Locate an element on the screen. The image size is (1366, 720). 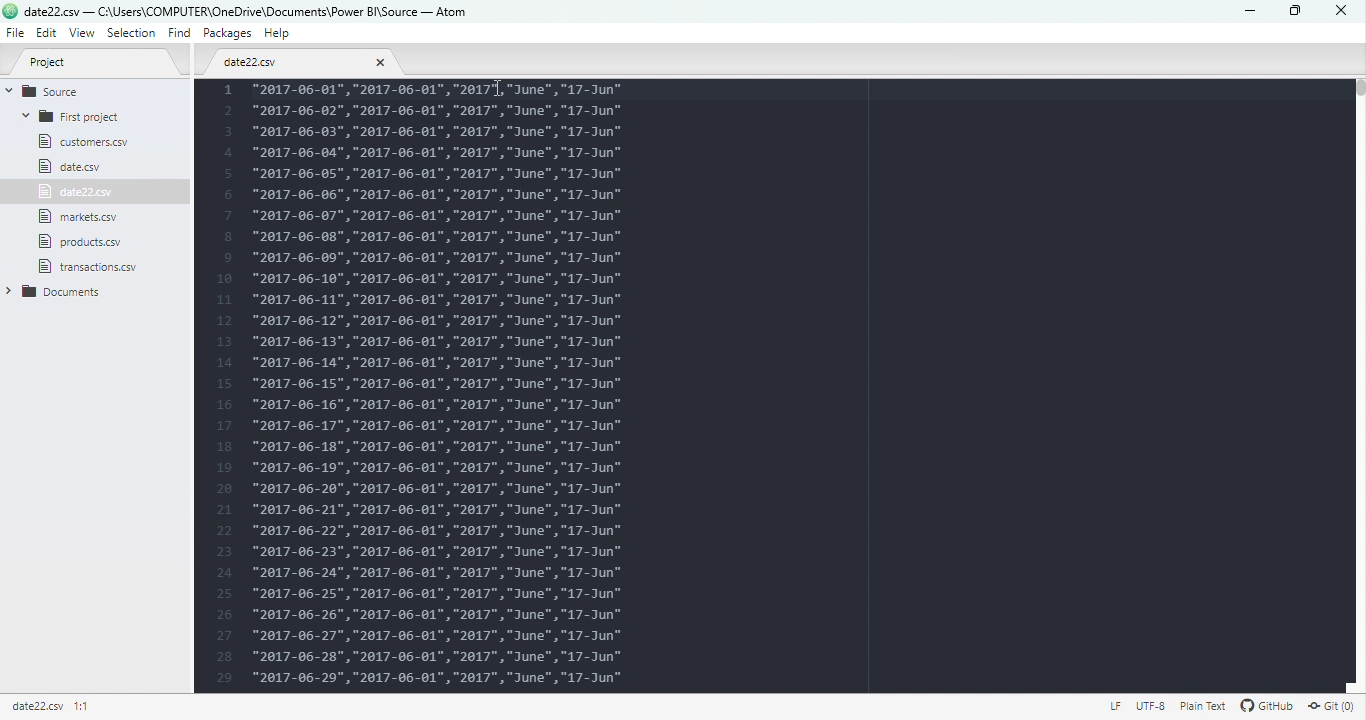
Selection is located at coordinates (133, 34).